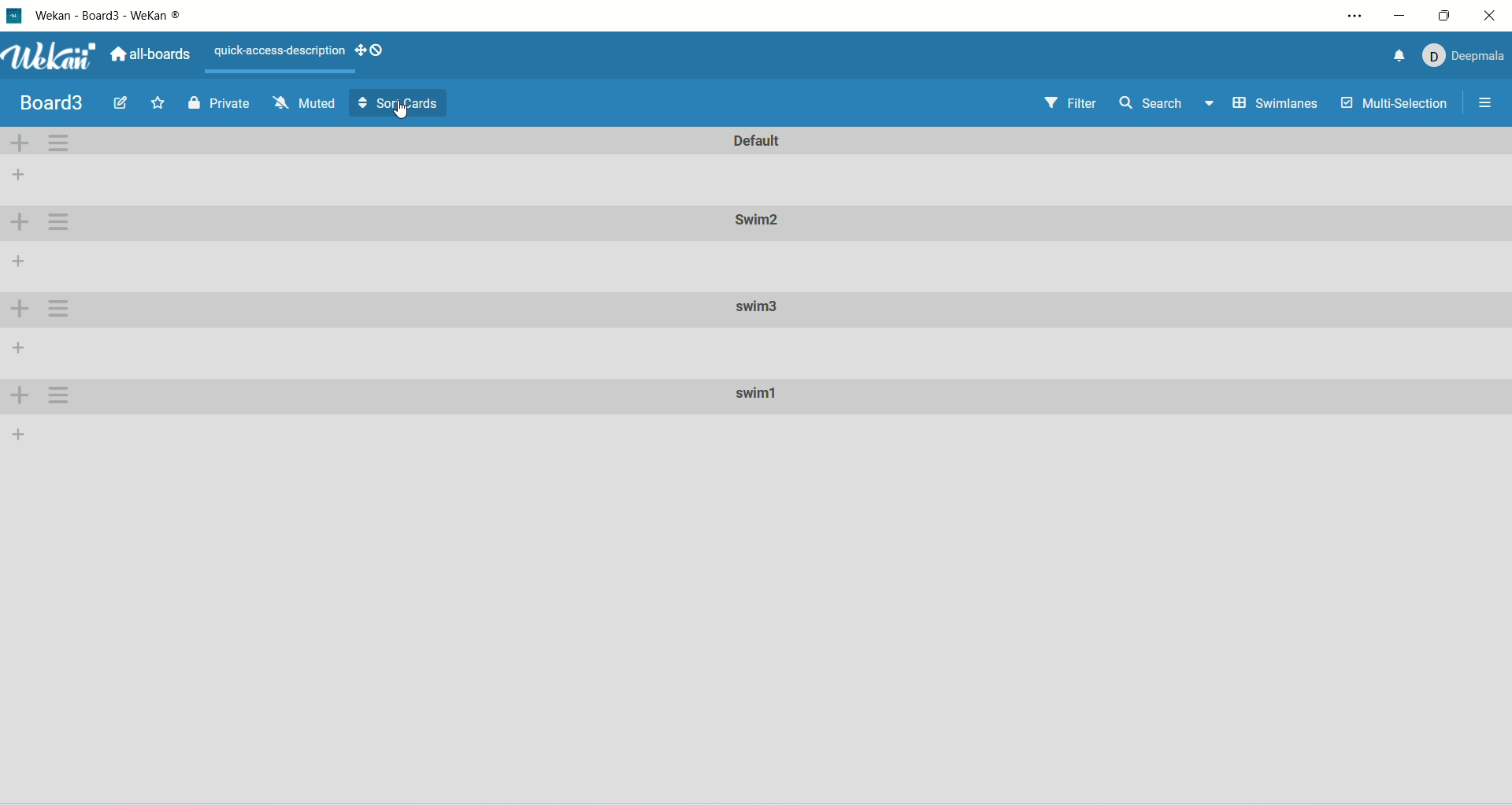  I want to click on notification, so click(1392, 56).